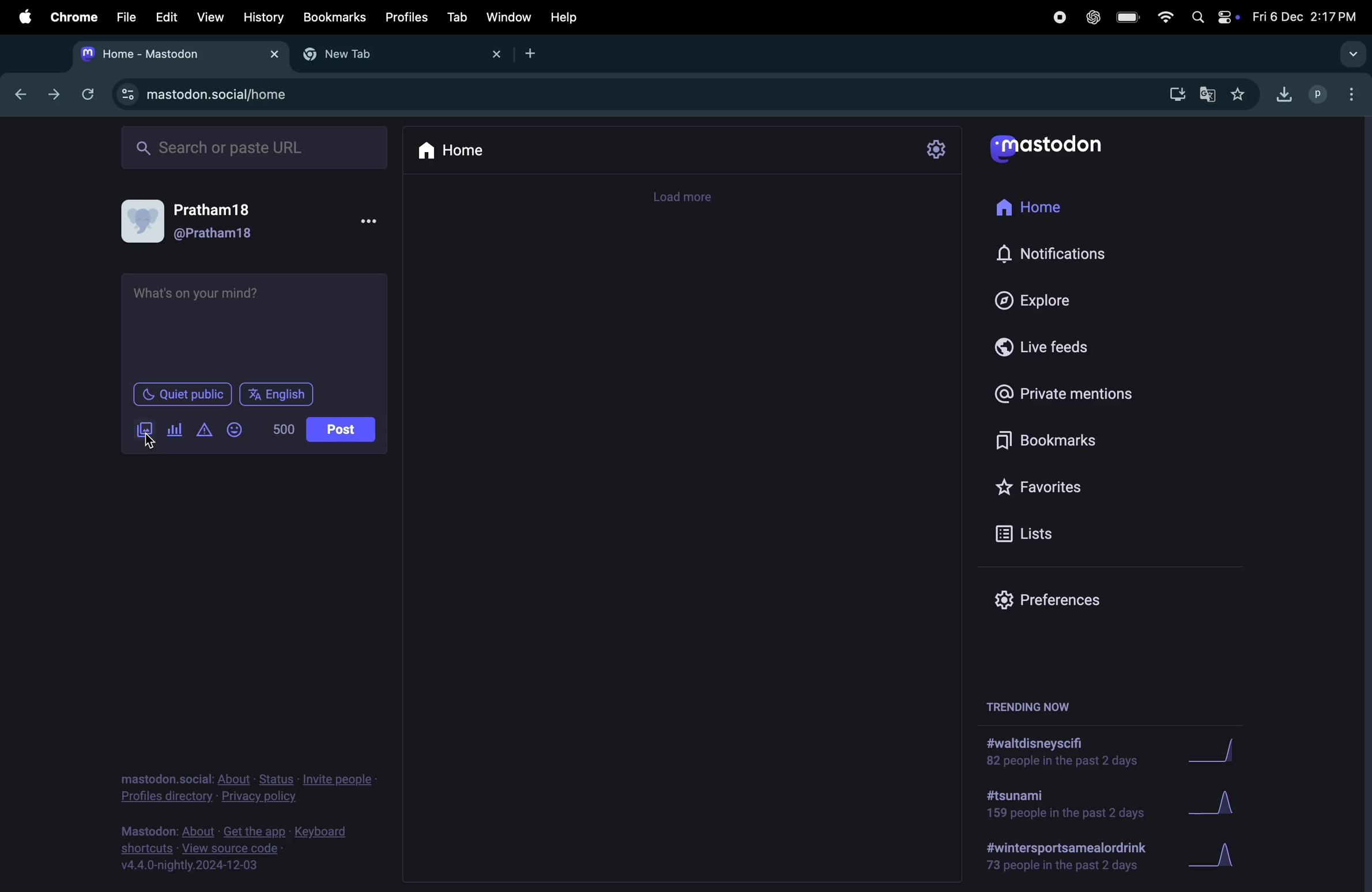  What do you see at coordinates (1045, 535) in the screenshot?
I see `List` at bounding box center [1045, 535].